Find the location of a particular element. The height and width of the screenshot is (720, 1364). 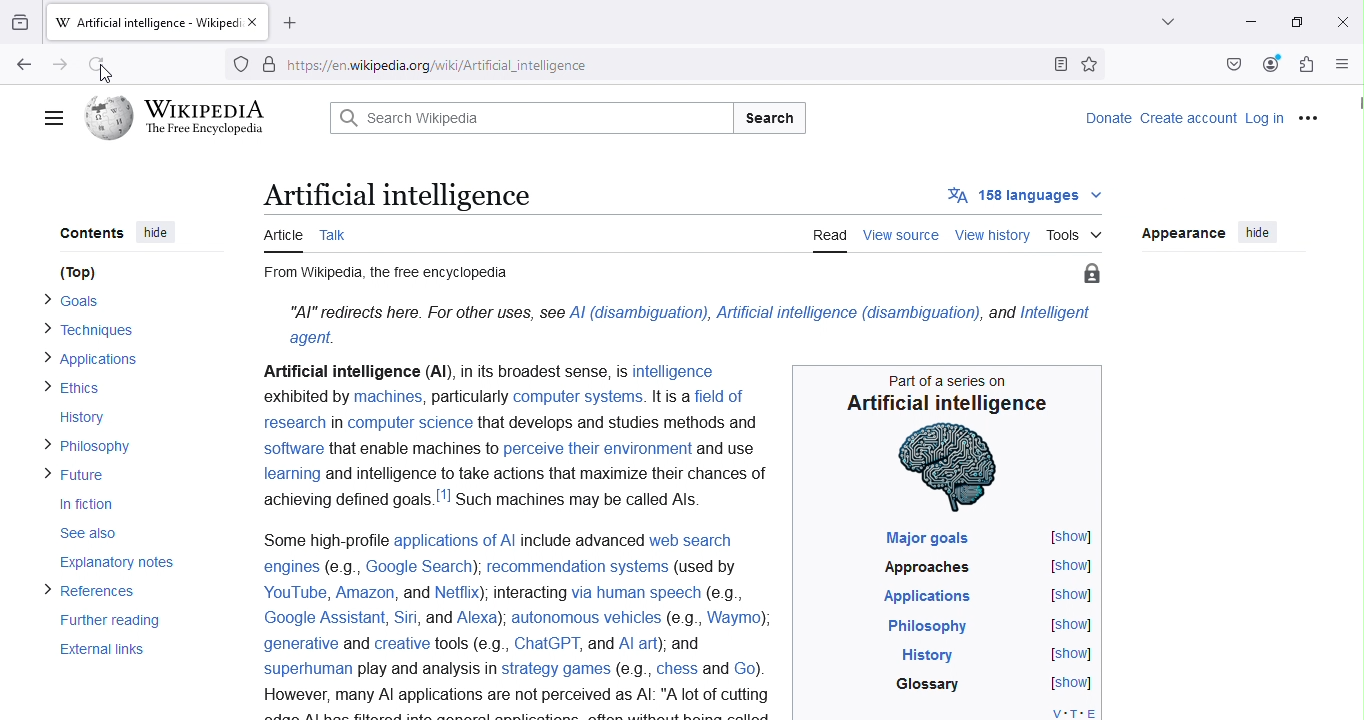

Glossary is located at coordinates (929, 687).